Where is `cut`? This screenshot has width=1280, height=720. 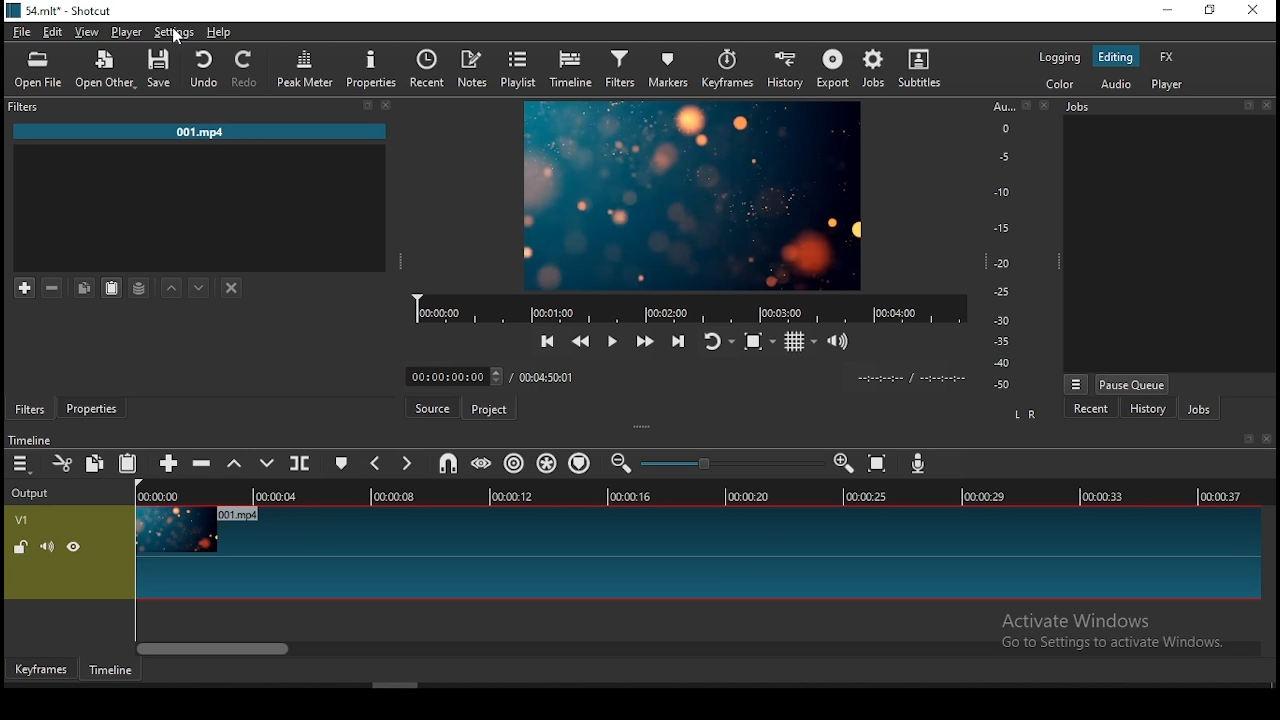 cut is located at coordinates (63, 463).